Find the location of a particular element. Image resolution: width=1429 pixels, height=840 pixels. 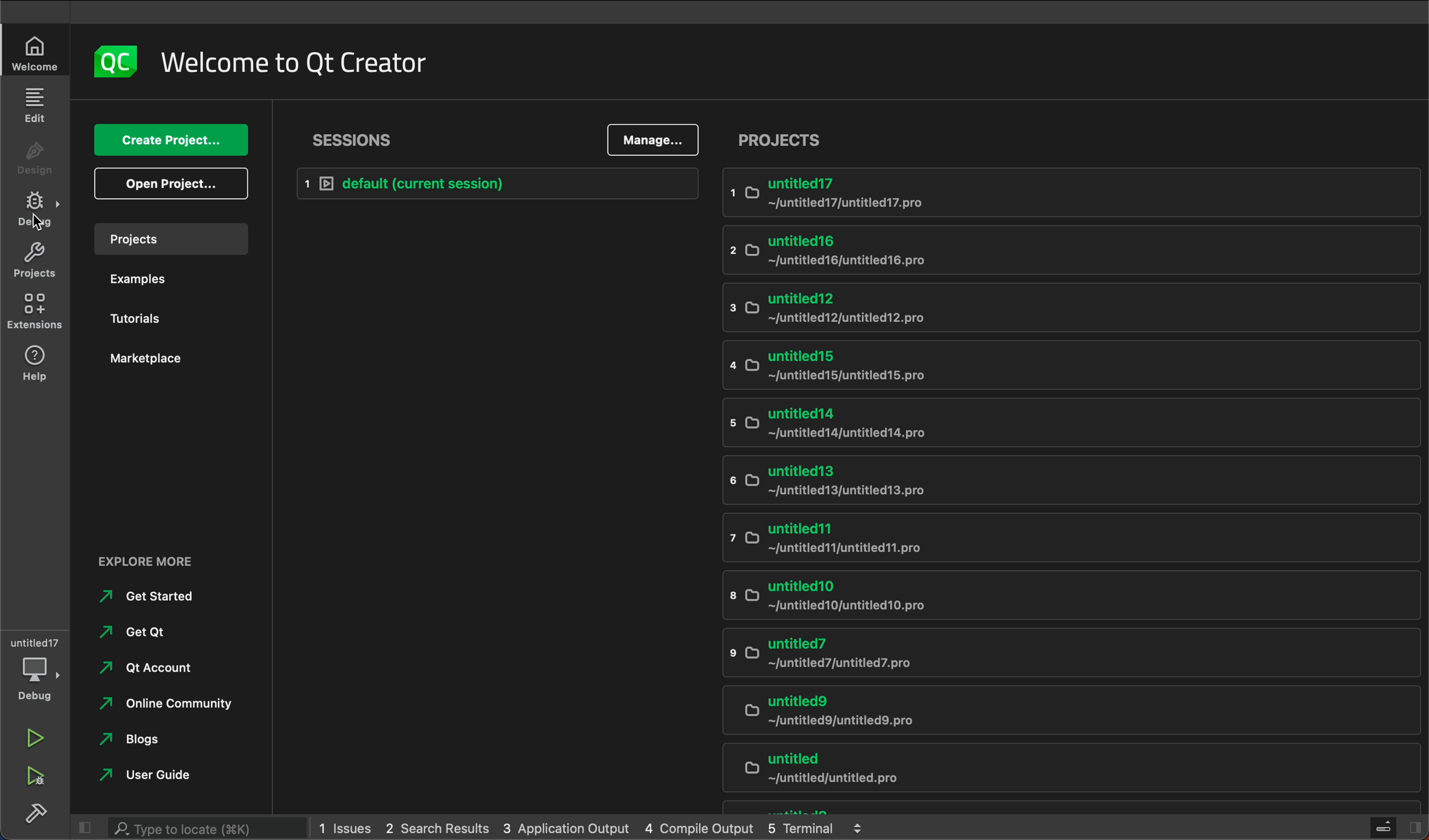

untitled16
~Juntitled16/untitled16.pro is located at coordinates (1067, 248).